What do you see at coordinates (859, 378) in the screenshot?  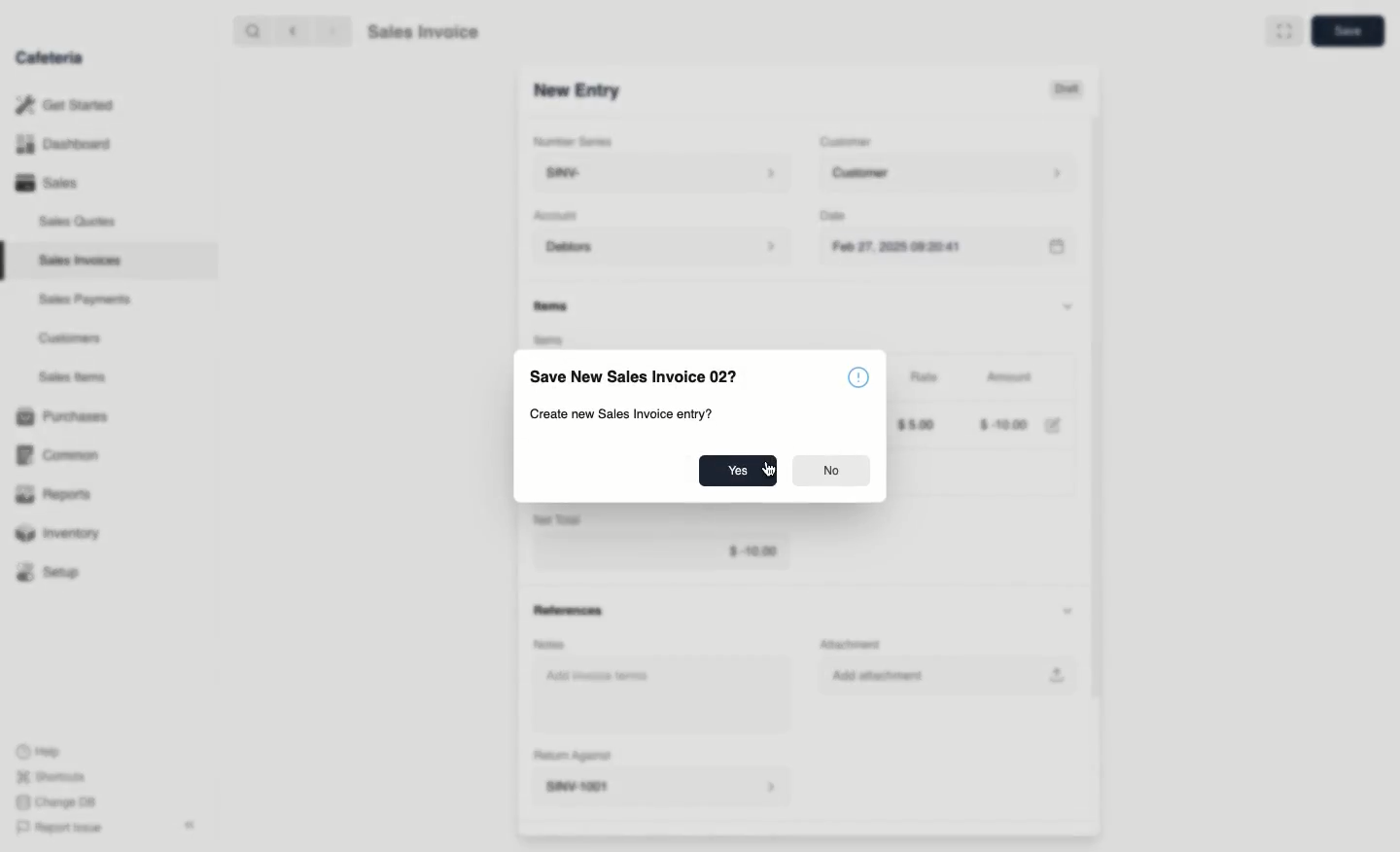 I see `Icon` at bounding box center [859, 378].